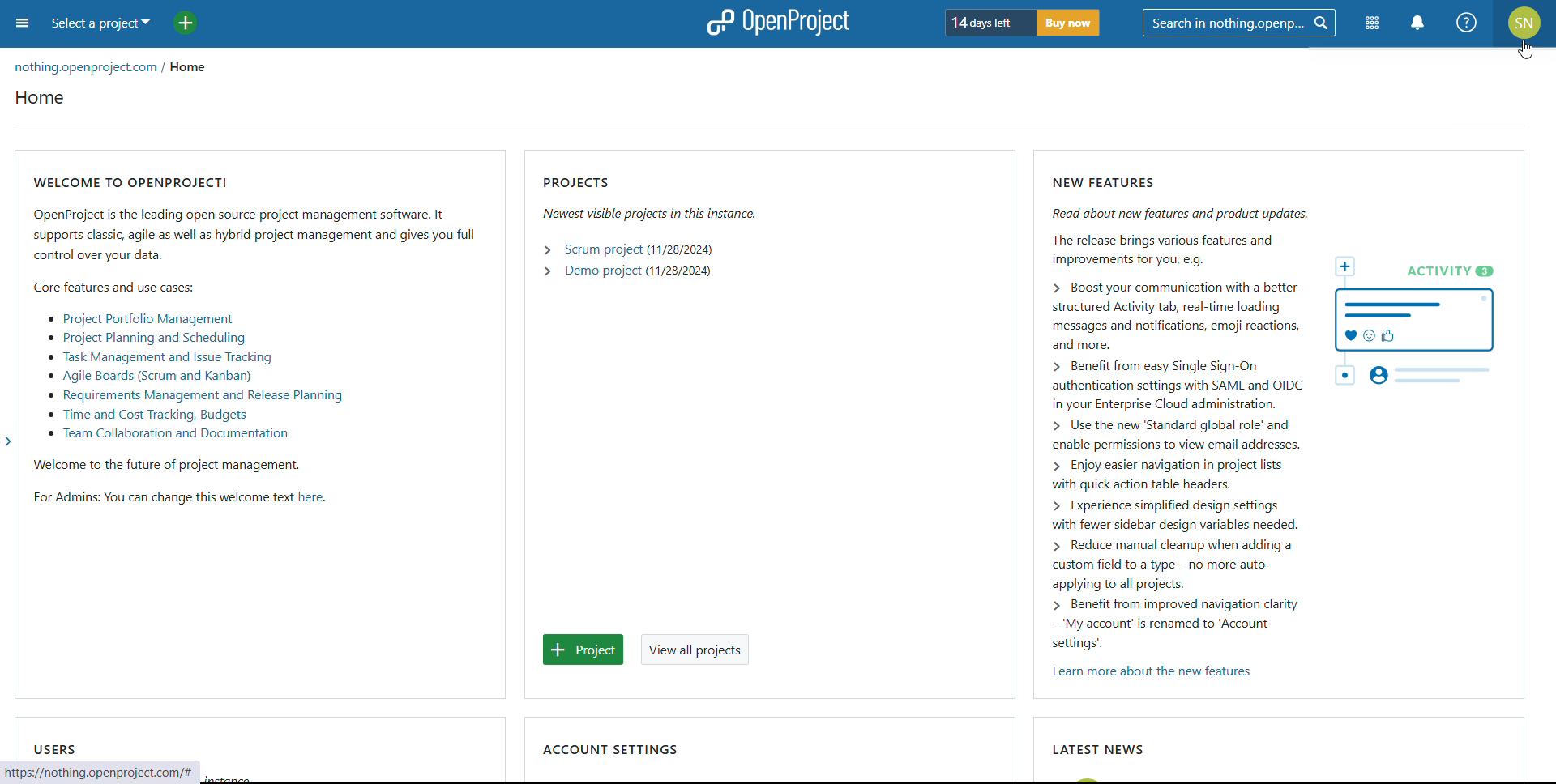 The image size is (1556, 784). What do you see at coordinates (1163, 407) in the screenshot?
I see `NEW FEATURES

Read about new features and product updates.
The release brings various features and
improvements for you, eg.

> Boost your communication with a better
structured Activity tab, real-time loading
messages and notifications, emoji reactions,
and more.

> Benefit from easy Single Sign-On
authentication settings with SAML and OIDC
in your Enterprise Cloud administration.

> Use the new ‘Standard global role and
enable permissions to view email addresses.
> Enjoy easier navigation in project lists
with quick action table headers.

> Experience simplified design settings
with fewer sidebar design variables needed.
> Reduce manual dleanup when adding a
custom field to a type — no more auto-
applying to all projects.

> Benefit from improved navigation clarity
~ "My account’ is renamed to "Account
settings’.` at bounding box center [1163, 407].